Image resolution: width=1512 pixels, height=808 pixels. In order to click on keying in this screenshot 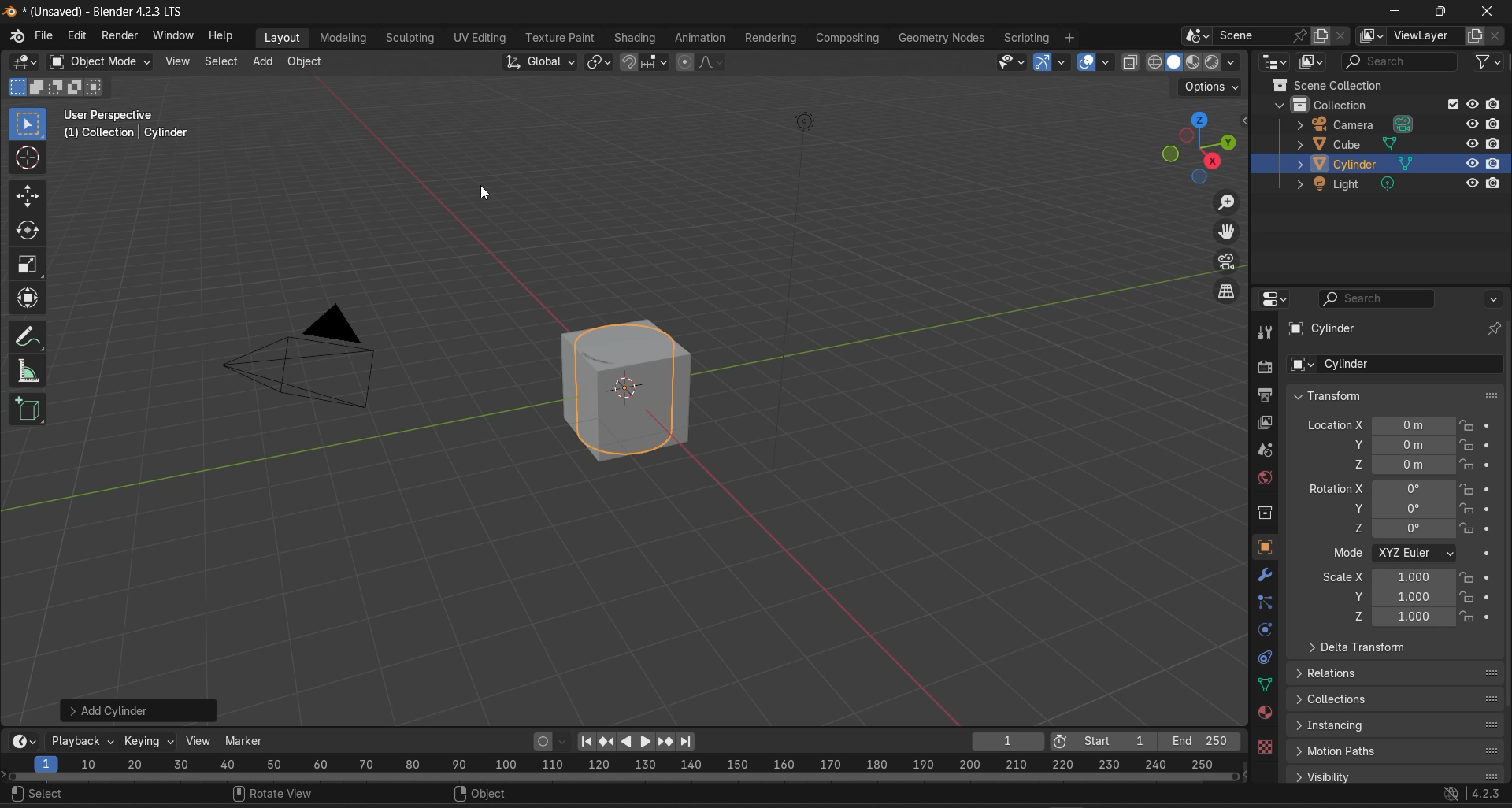, I will do `click(150, 743)`.